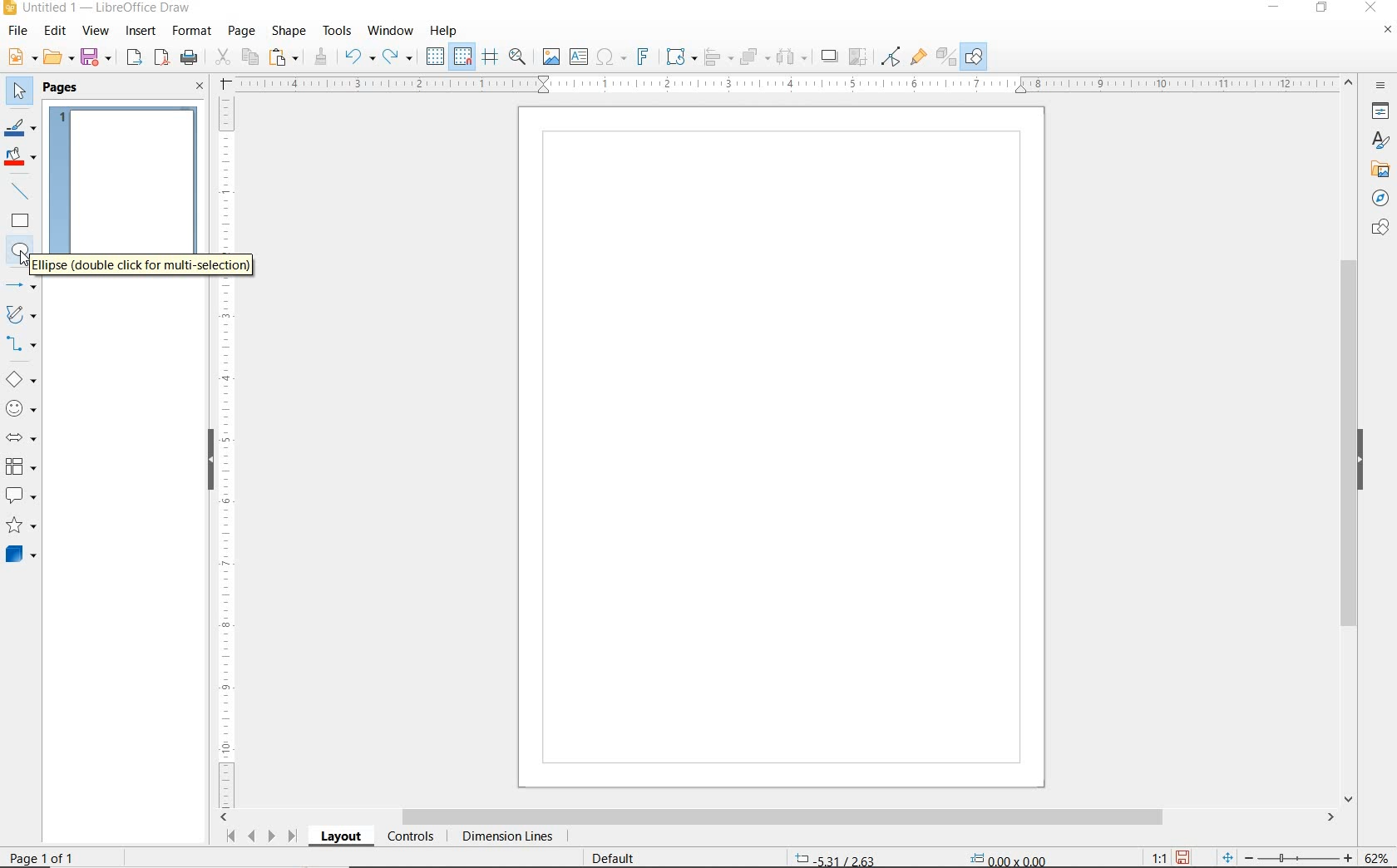 This screenshot has height=868, width=1397. I want to click on UNDO, so click(359, 58).